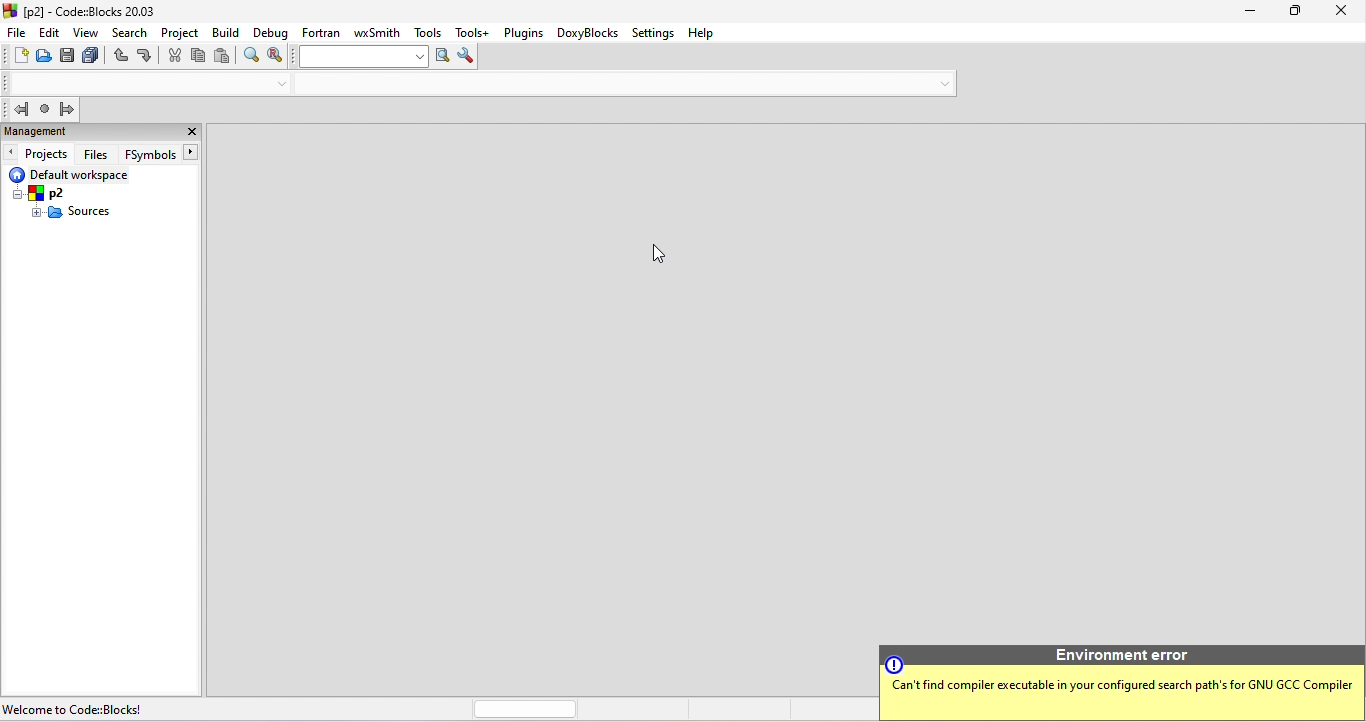 This screenshot has height=722, width=1366. I want to click on projects, so click(39, 154).